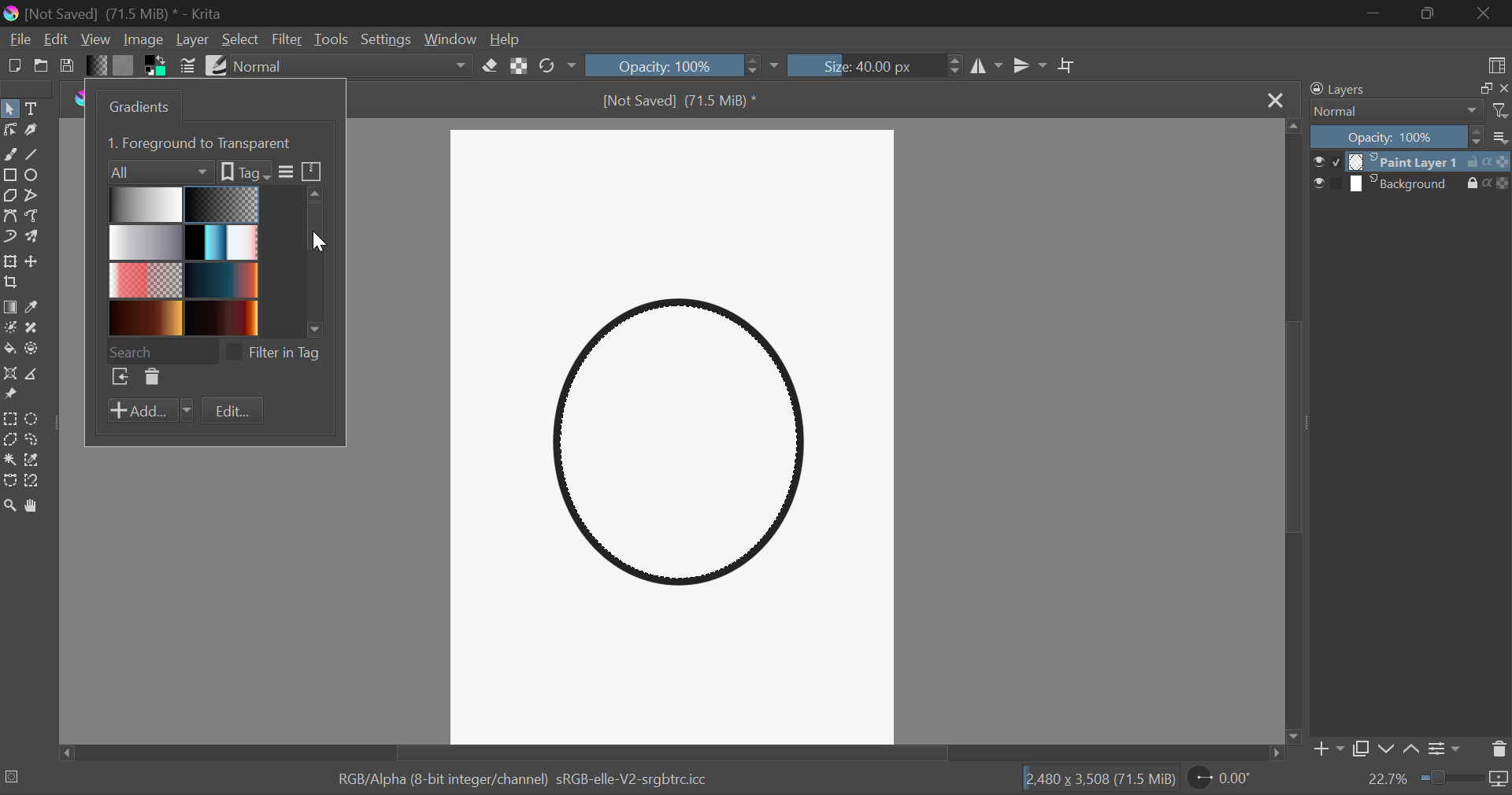 The height and width of the screenshot is (795, 1512). Describe the element at coordinates (286, 353) in the screenshot. I see `filter in tag` at that location.